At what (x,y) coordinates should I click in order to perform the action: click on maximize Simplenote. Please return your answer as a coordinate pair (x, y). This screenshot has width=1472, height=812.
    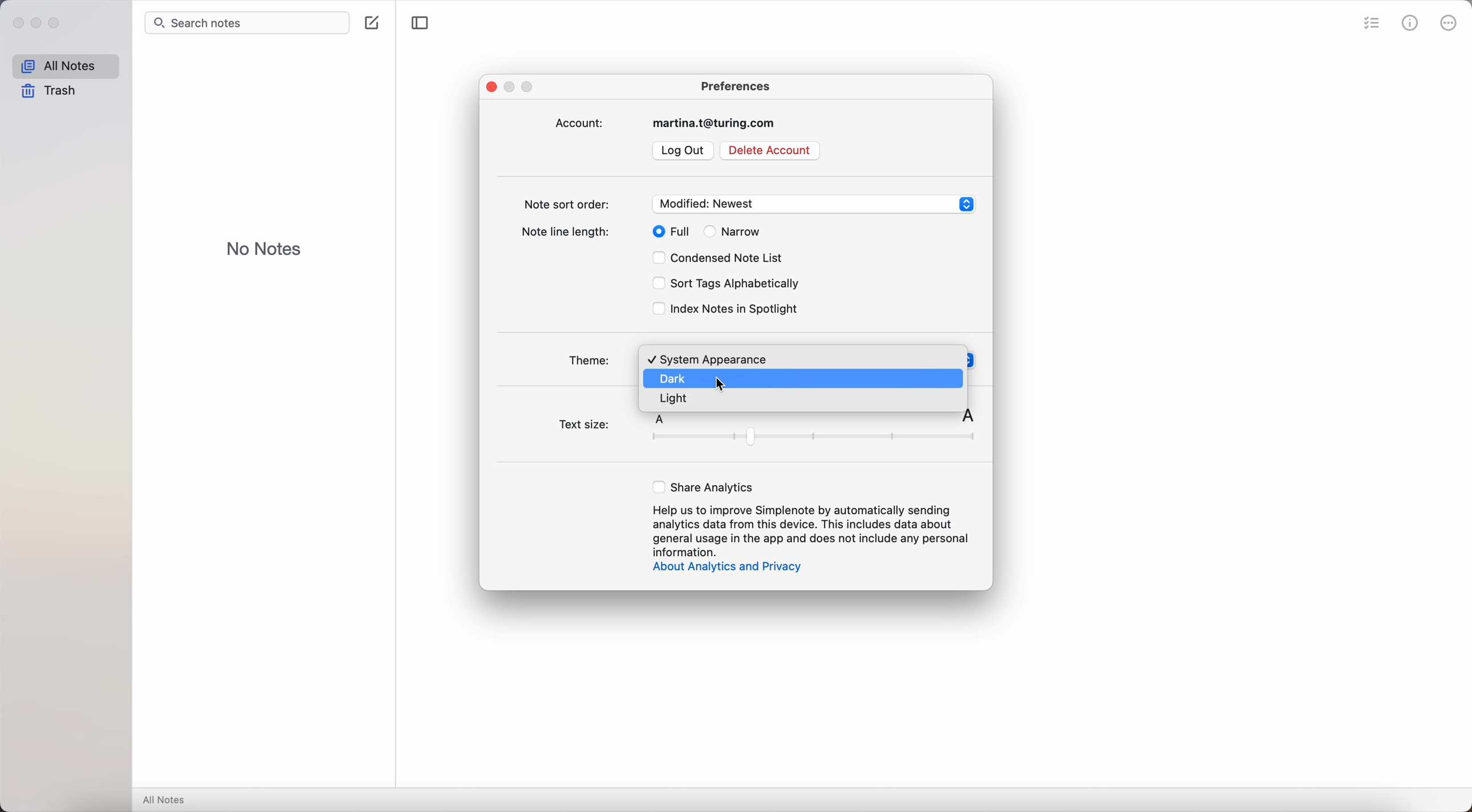
    Looking at the image, I should click on (531, 88).